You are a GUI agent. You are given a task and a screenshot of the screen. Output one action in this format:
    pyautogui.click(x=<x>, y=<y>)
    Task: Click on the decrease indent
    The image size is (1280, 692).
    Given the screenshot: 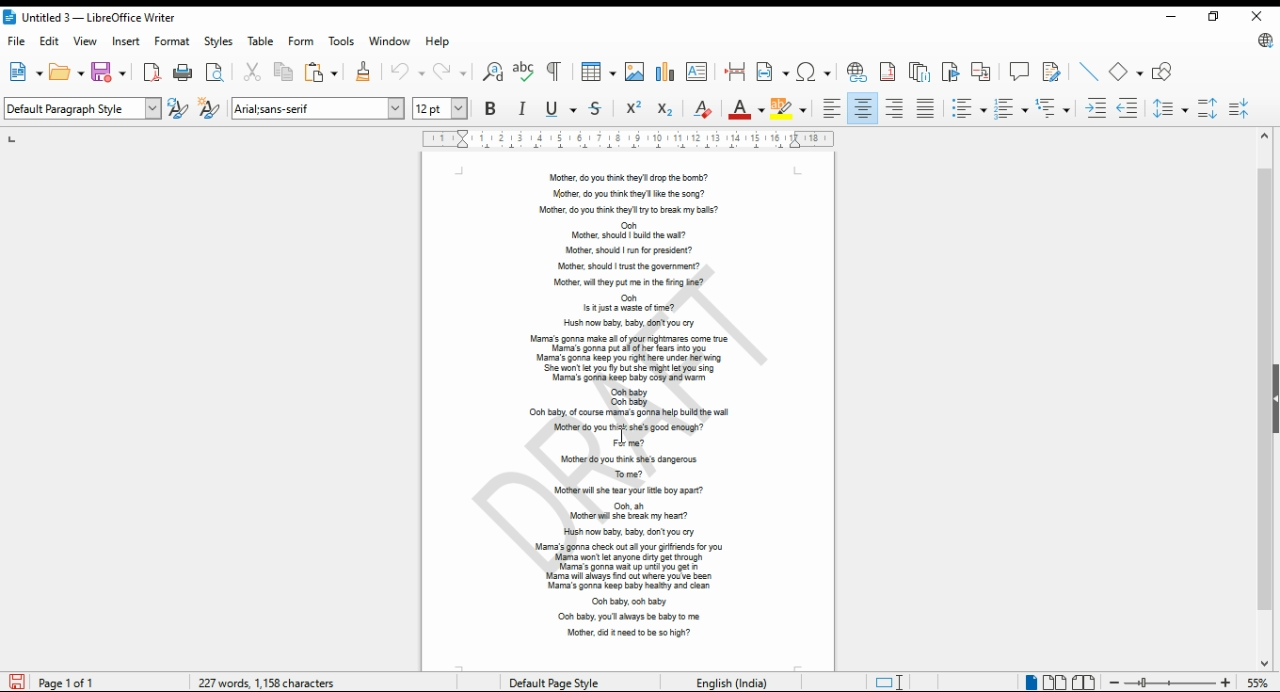 What is the action you would take?
    pyautogui.click(x=1128, y=108)
    